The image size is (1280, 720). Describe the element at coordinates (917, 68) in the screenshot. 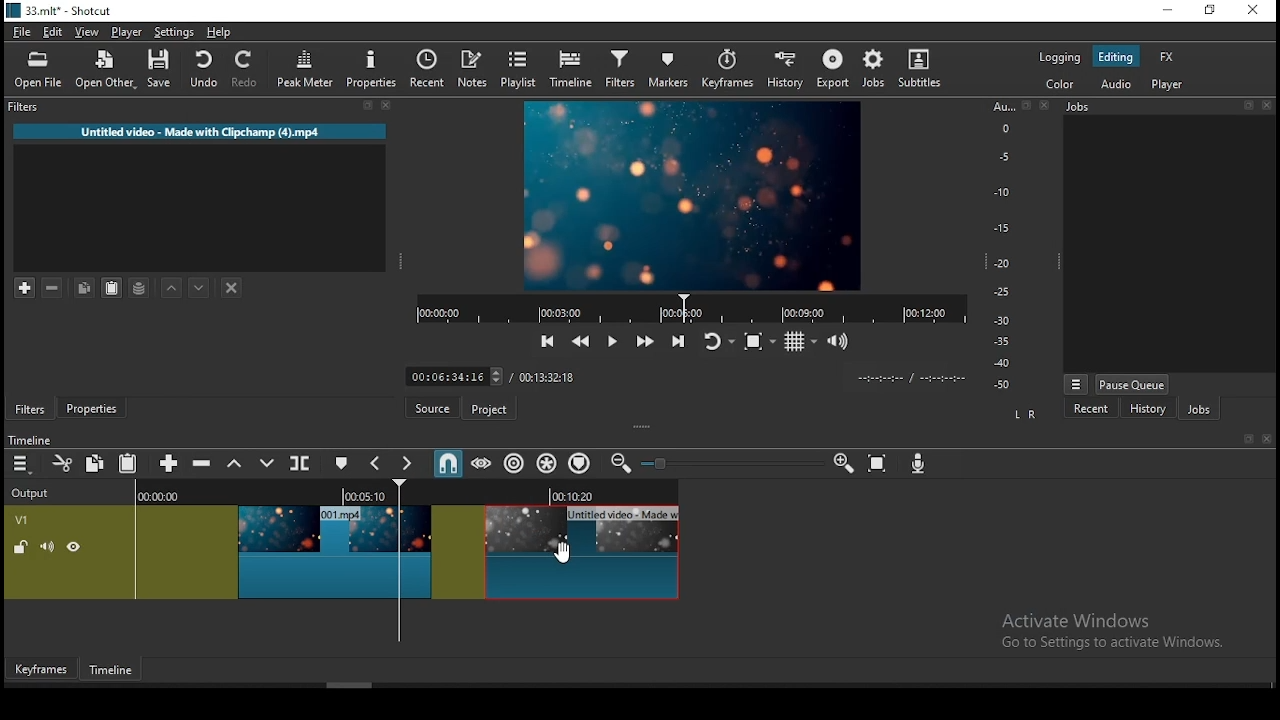

I see `subtitle` at that location.